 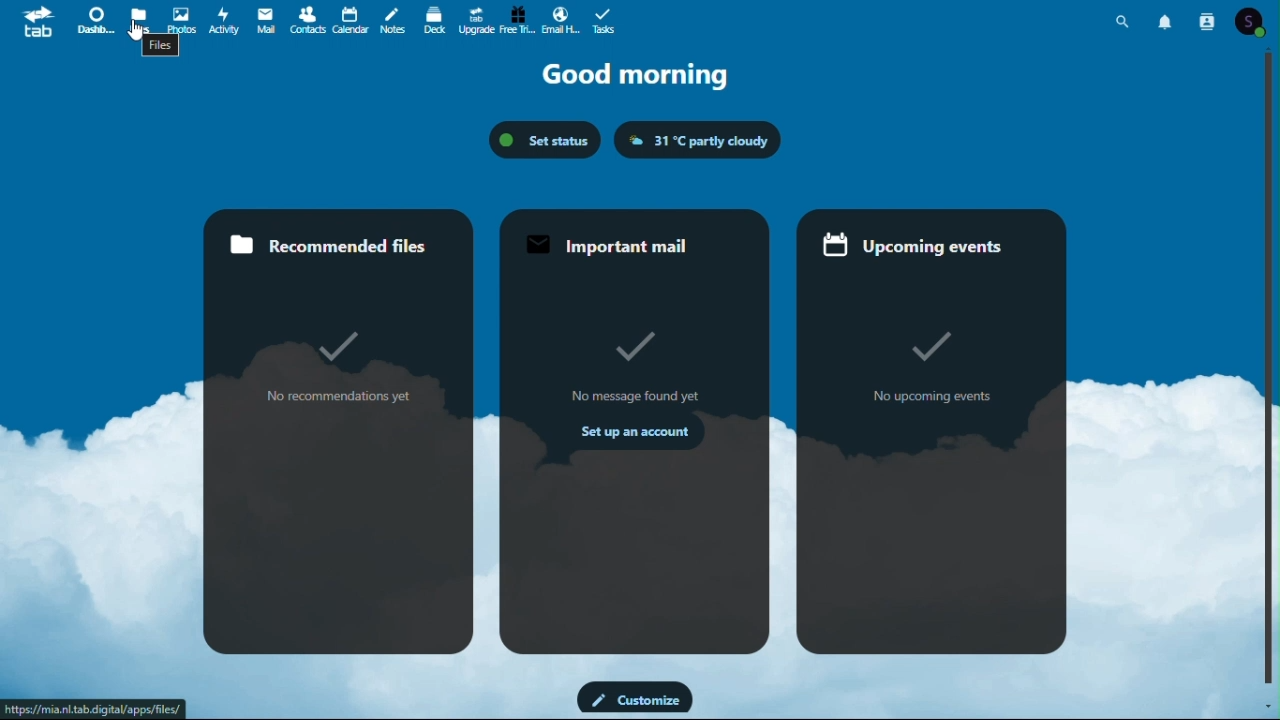 I want to click on weather, so click(x=698, y=140).